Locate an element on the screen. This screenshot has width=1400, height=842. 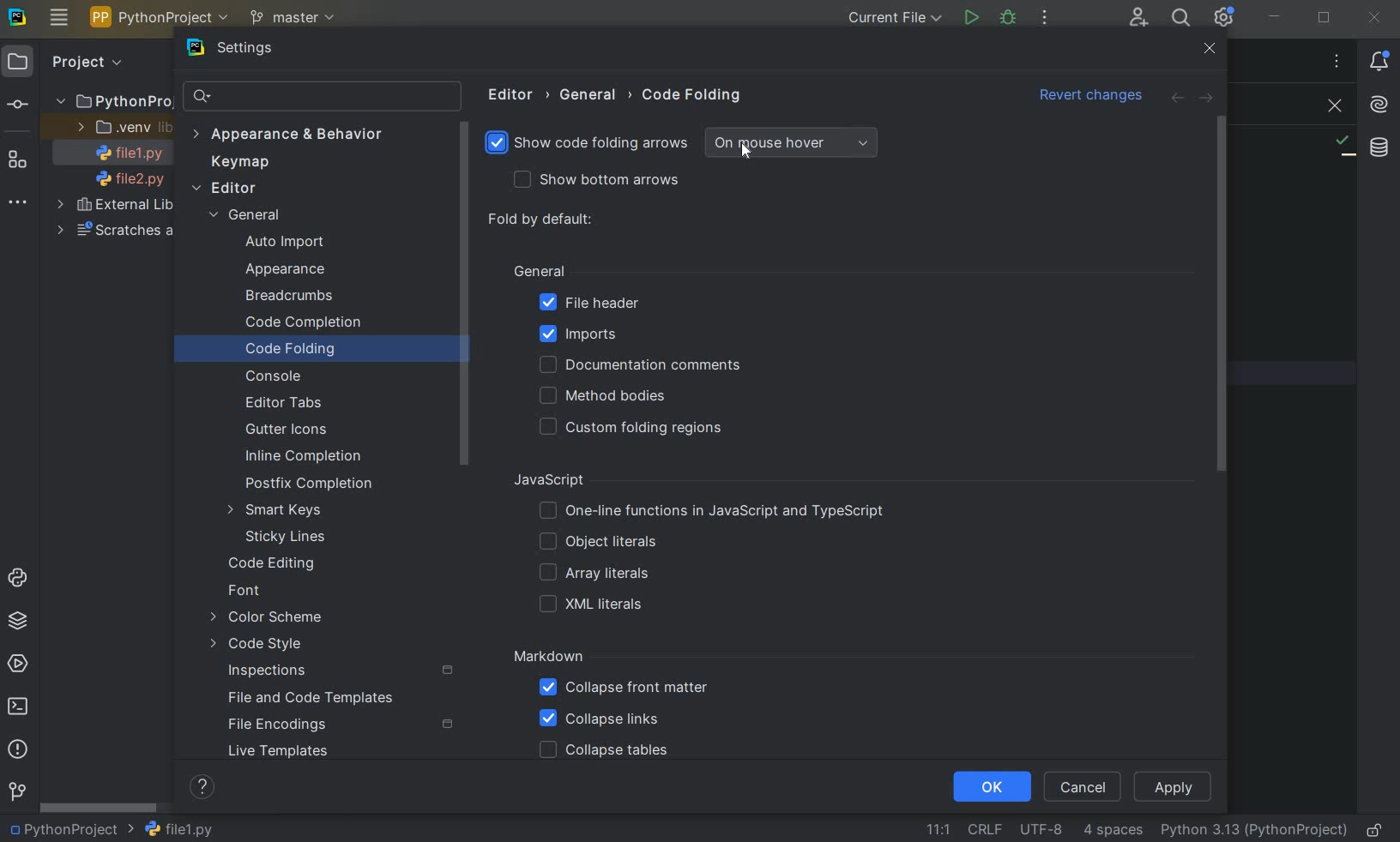
APPEARANCE & BEHAVIOR is located at coordinates (287, 134).